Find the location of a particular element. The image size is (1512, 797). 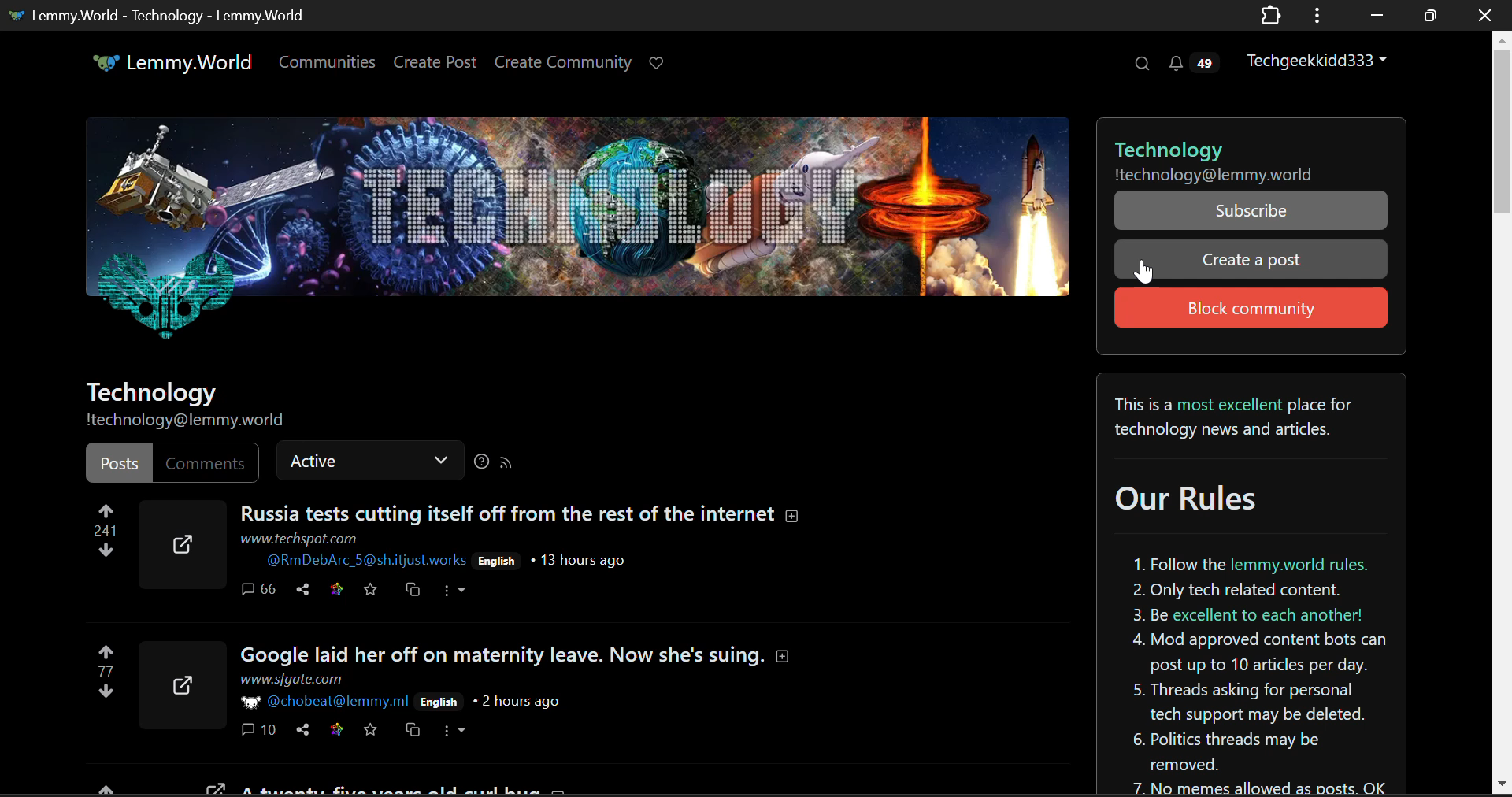

Minimize Window is located at coordinates (1428, 17).